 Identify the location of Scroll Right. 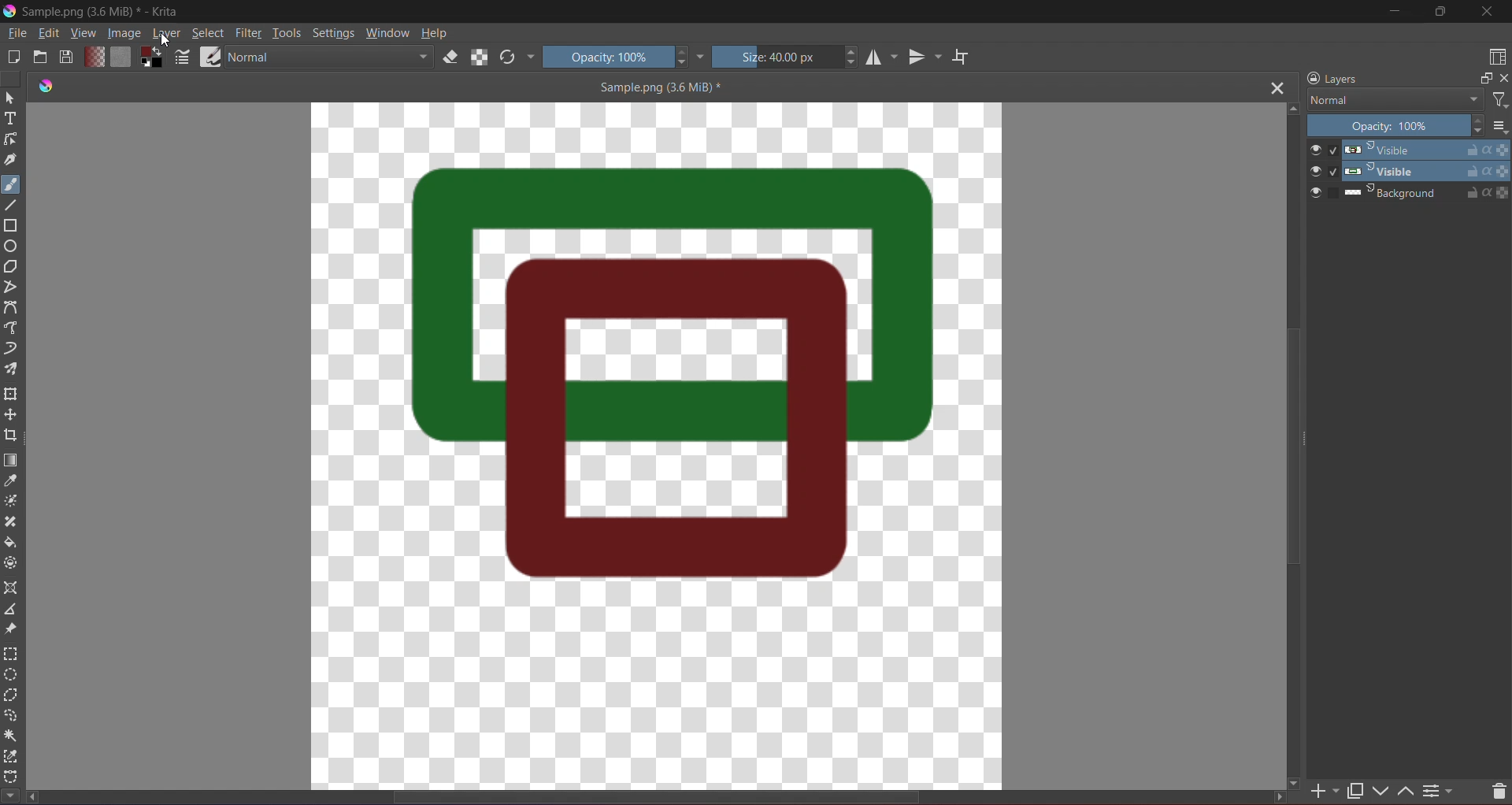
(1299, 781).